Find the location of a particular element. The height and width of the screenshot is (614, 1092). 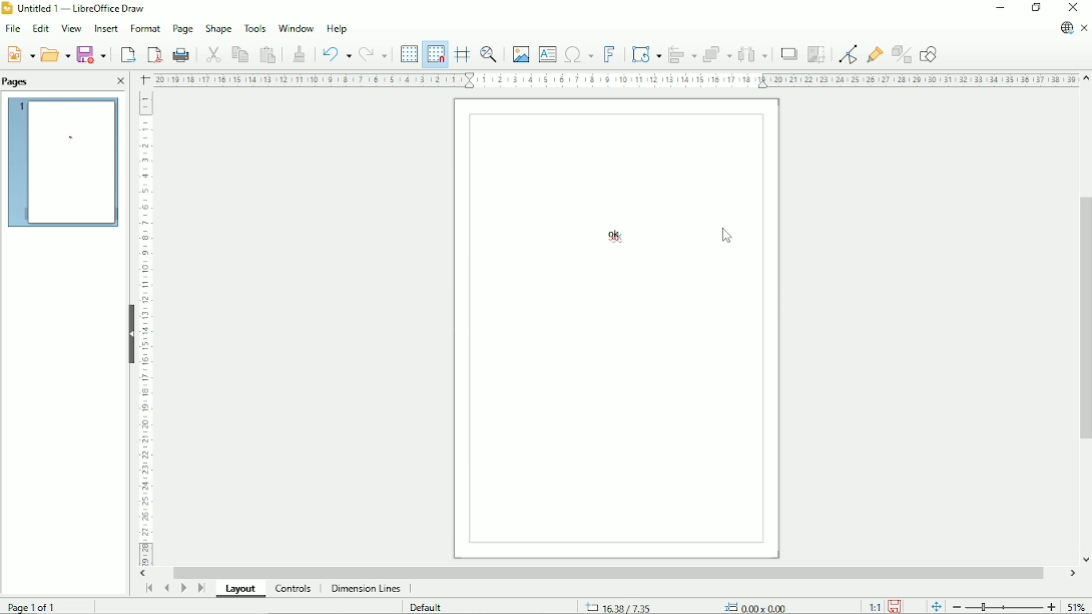

Redo is located at coordinates (374, 55).